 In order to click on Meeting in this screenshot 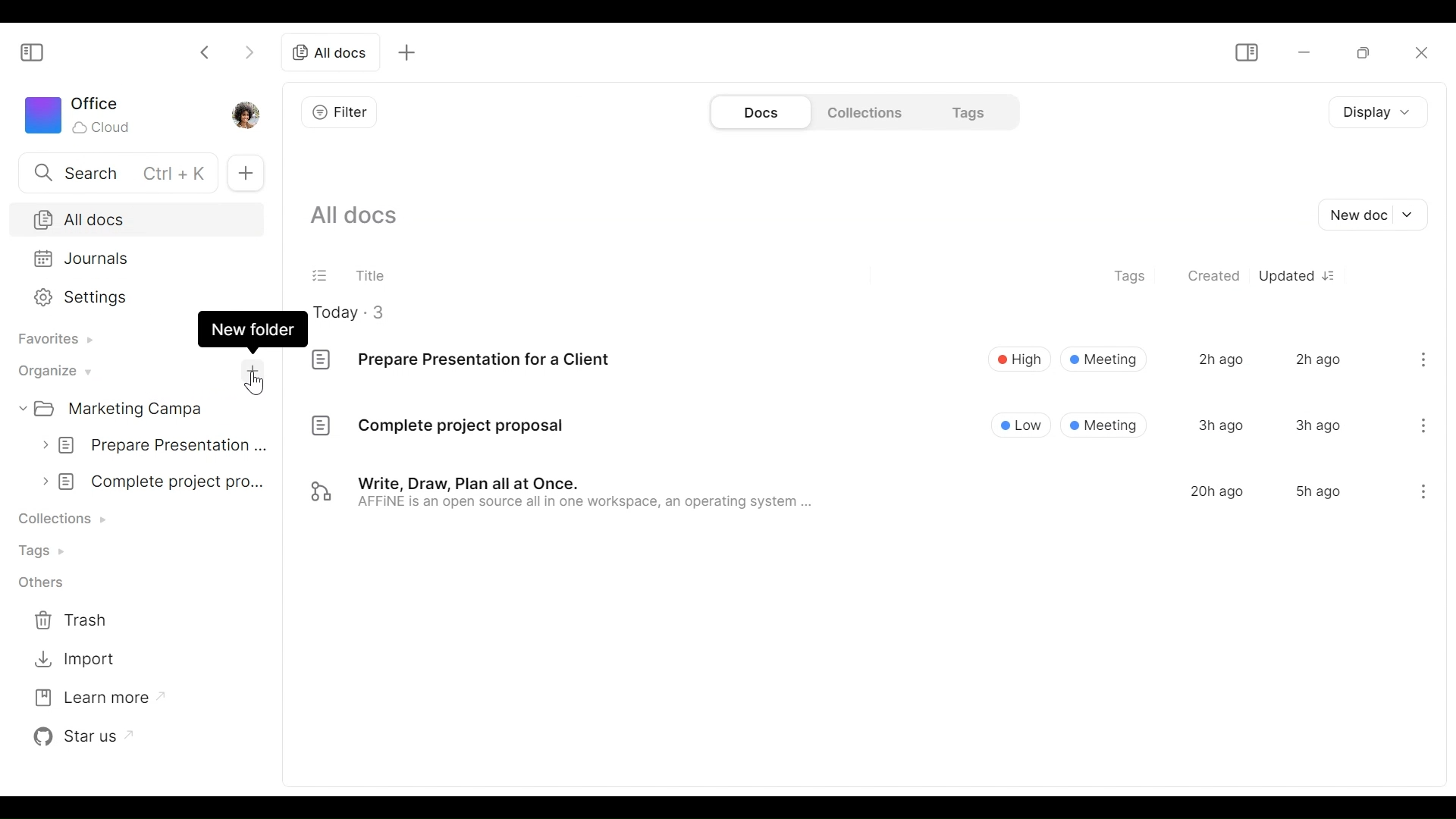, I will do `click(1104, 359)`.